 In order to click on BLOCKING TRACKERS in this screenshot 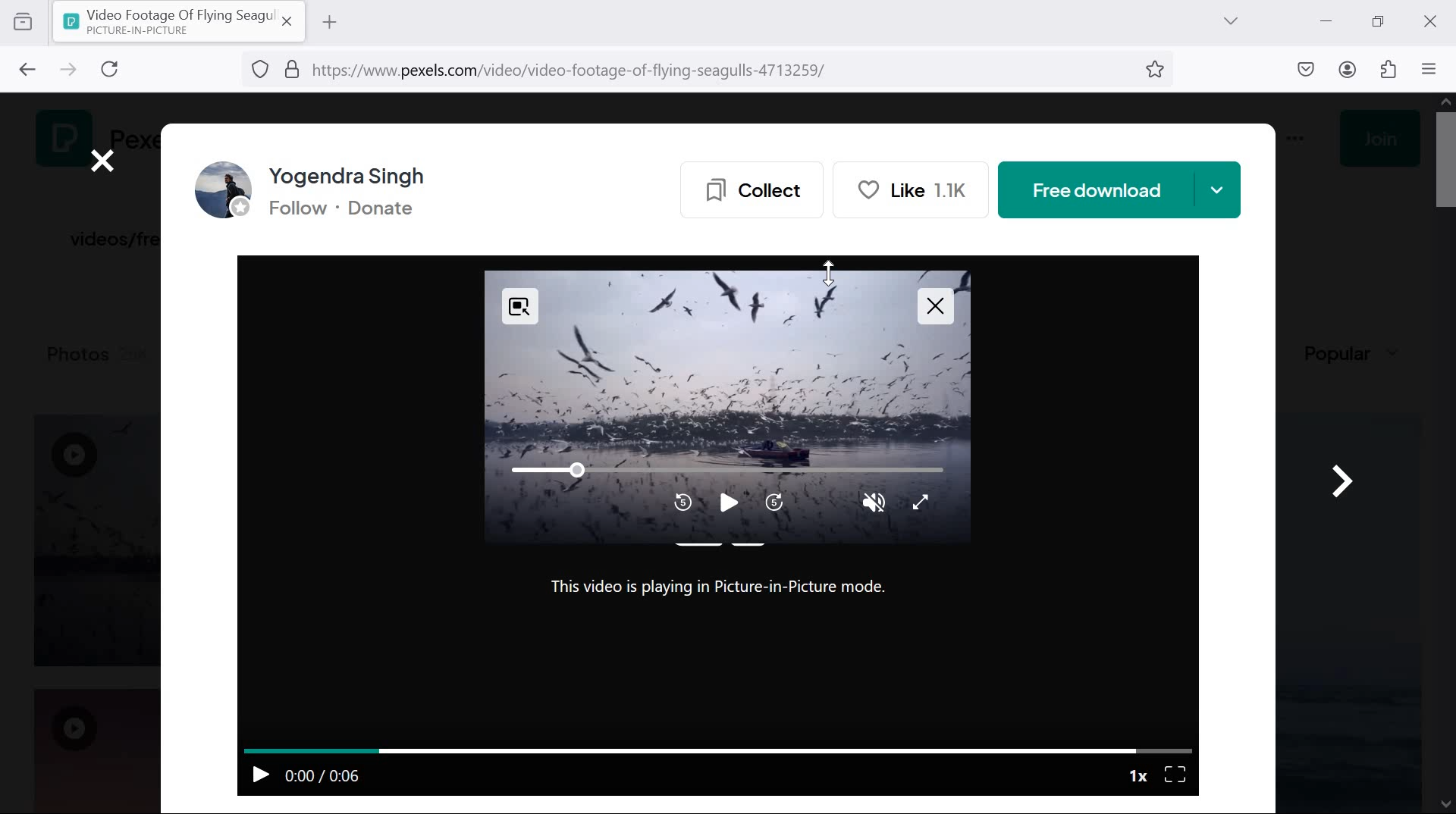, I will do `click(261, 71)`.